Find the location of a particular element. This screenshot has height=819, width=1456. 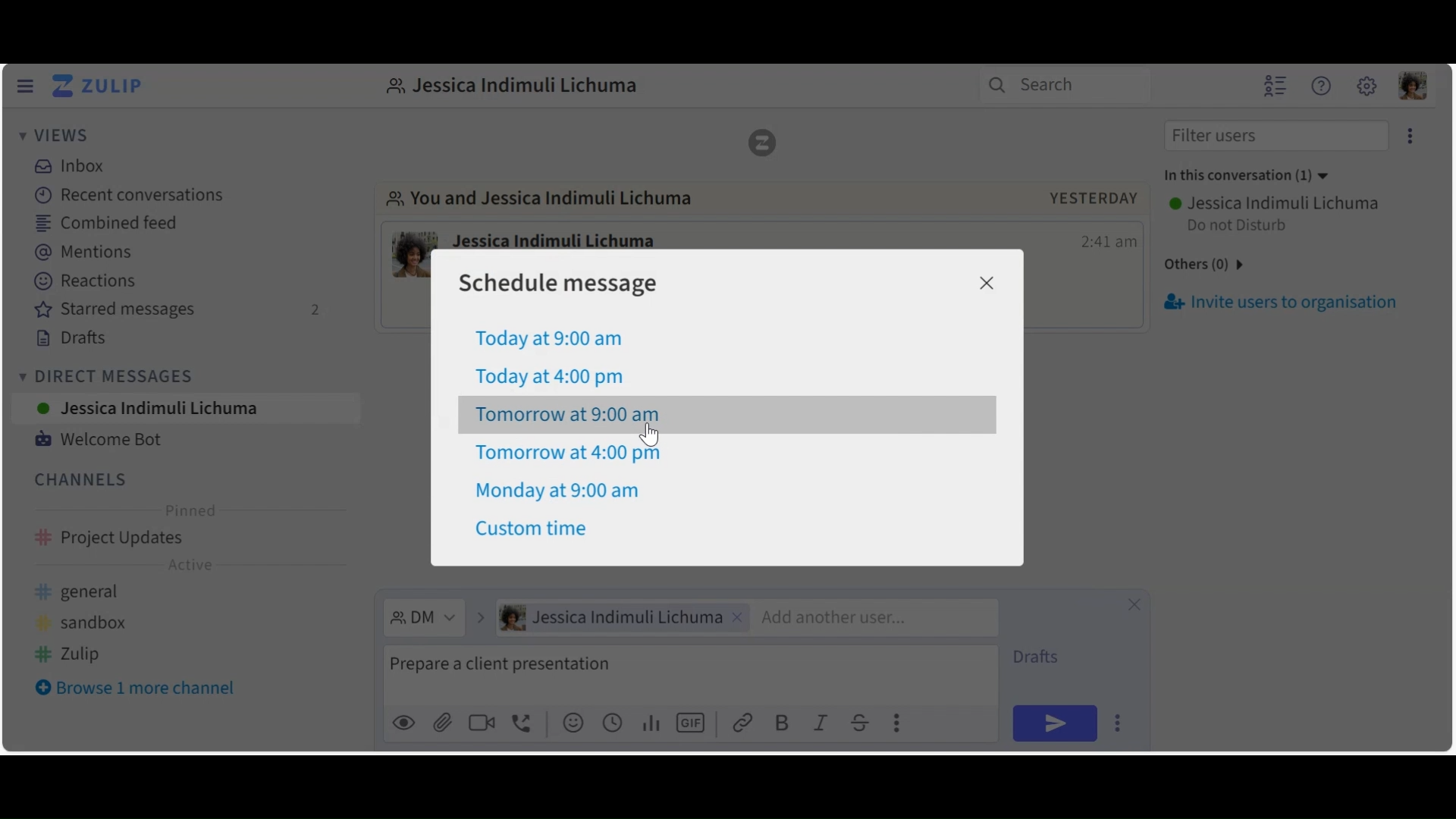

in this conversation(1) is located at coordinates (1260, 177).